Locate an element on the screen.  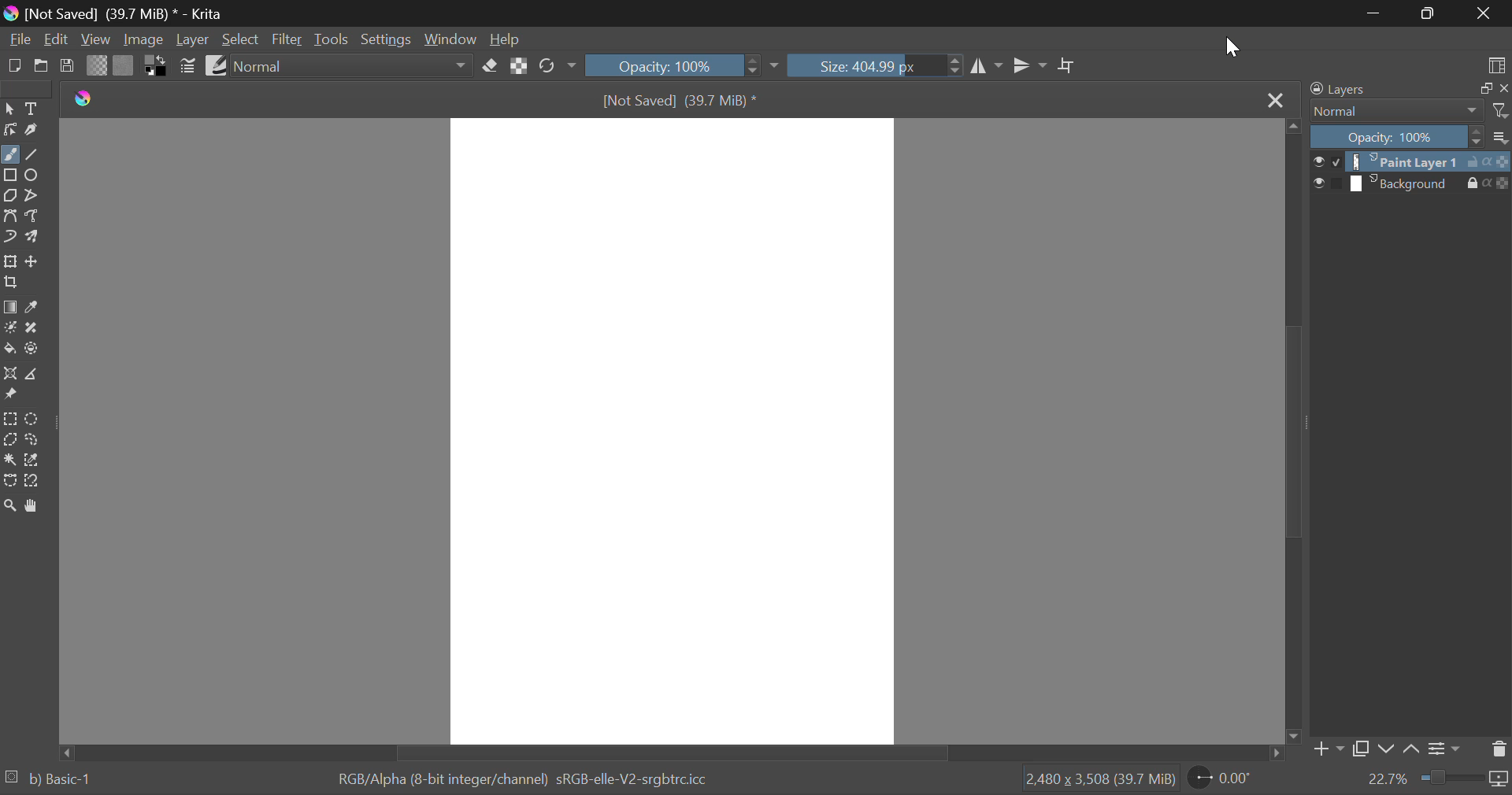
Restore Down is located at coordinates (1374, 15).